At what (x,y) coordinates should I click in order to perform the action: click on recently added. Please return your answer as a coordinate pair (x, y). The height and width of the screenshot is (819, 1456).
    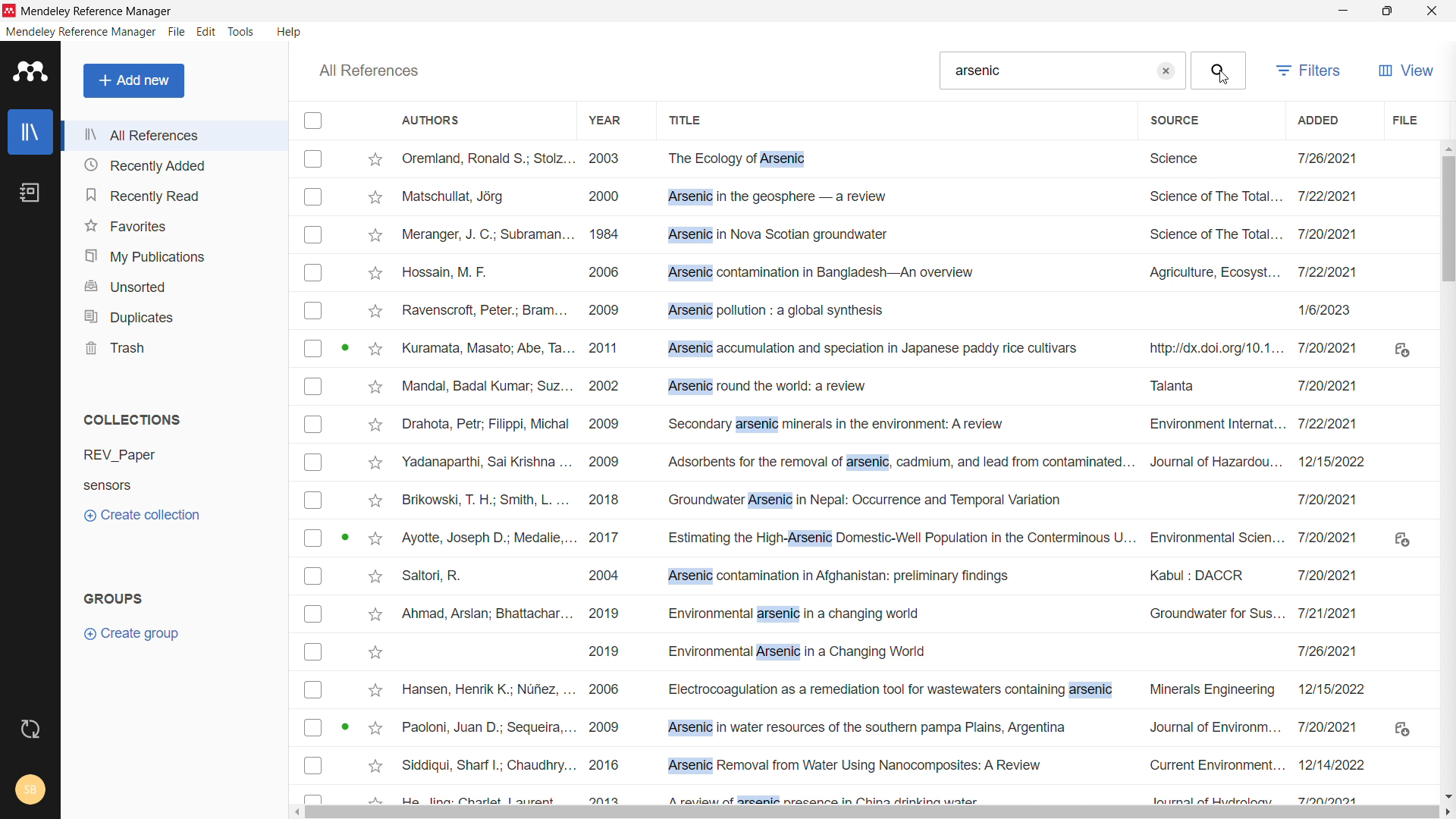
    Looking at the image, I should click on (175, 165).